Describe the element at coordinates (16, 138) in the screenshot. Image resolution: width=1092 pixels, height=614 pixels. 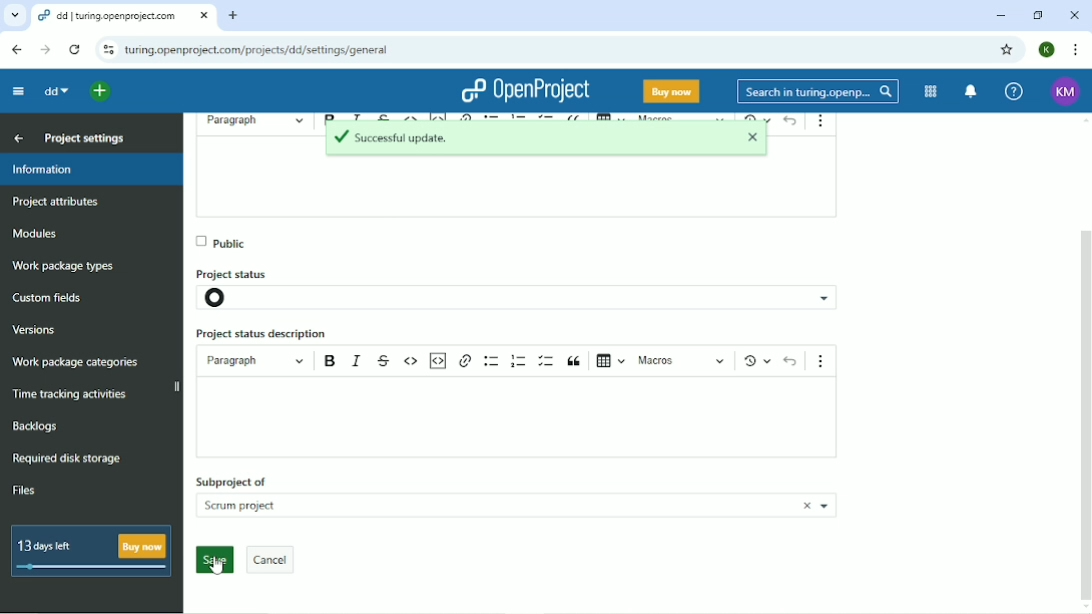
I see `Back` at that location.